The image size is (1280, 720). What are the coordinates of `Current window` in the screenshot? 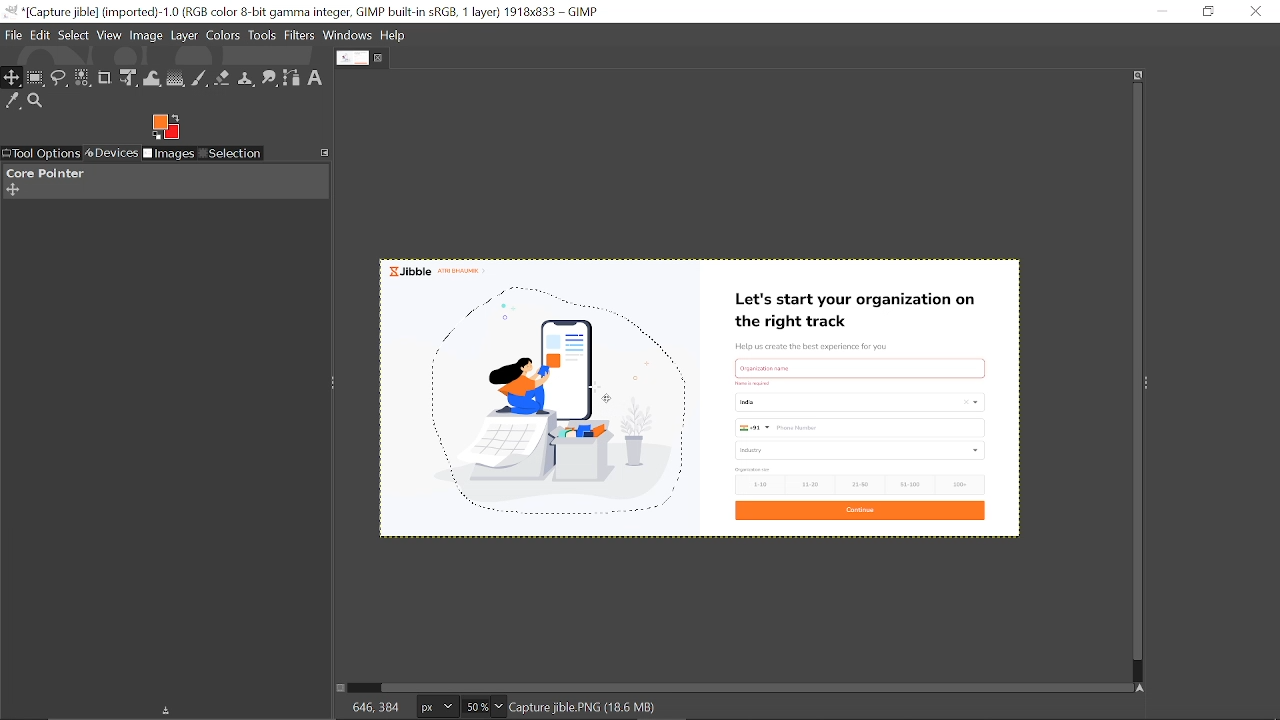 It's located at (305, 12).